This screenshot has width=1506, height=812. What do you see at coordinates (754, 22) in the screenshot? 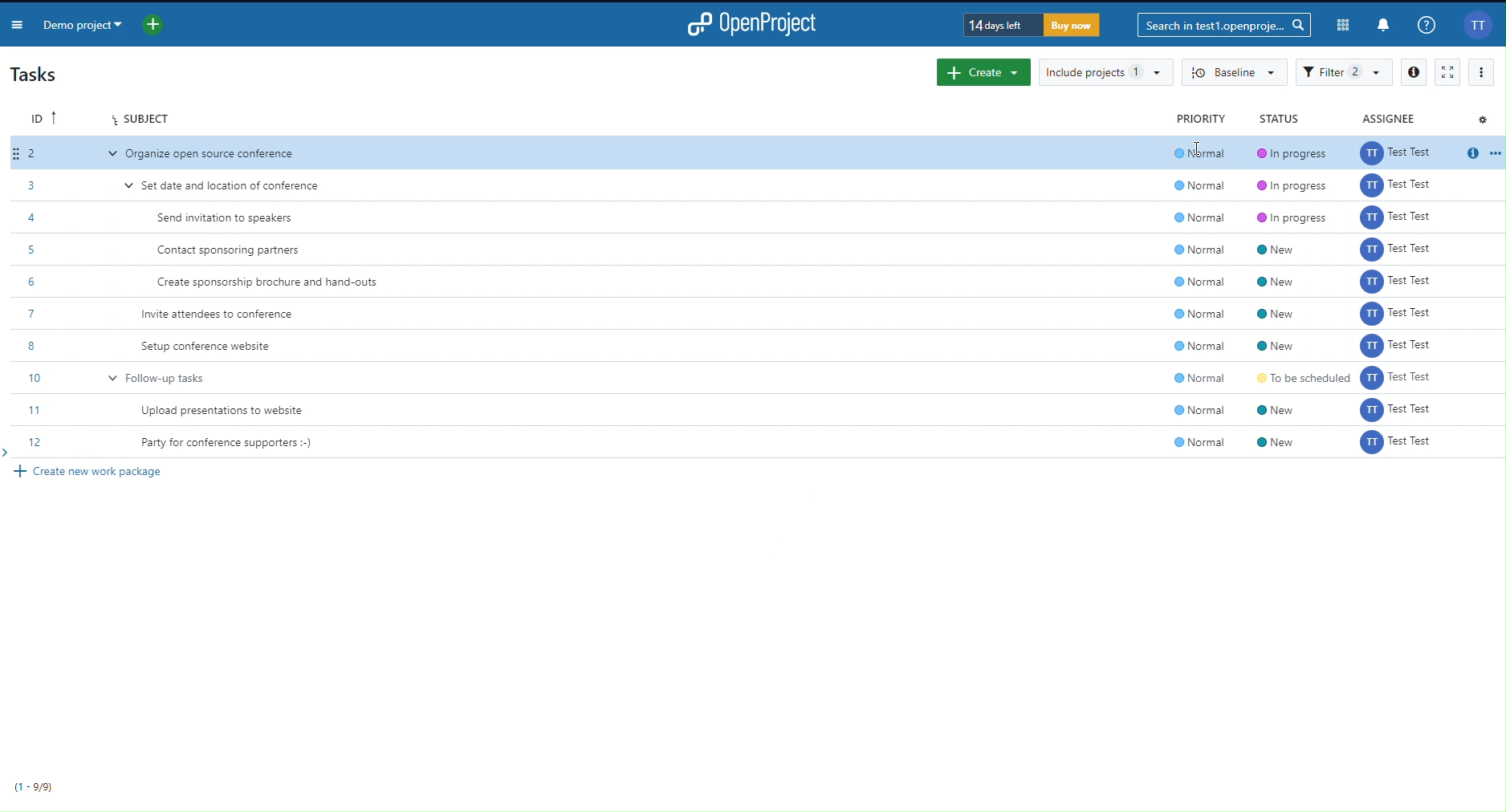
I see `OpenProject` at bounding box center [754, 22].